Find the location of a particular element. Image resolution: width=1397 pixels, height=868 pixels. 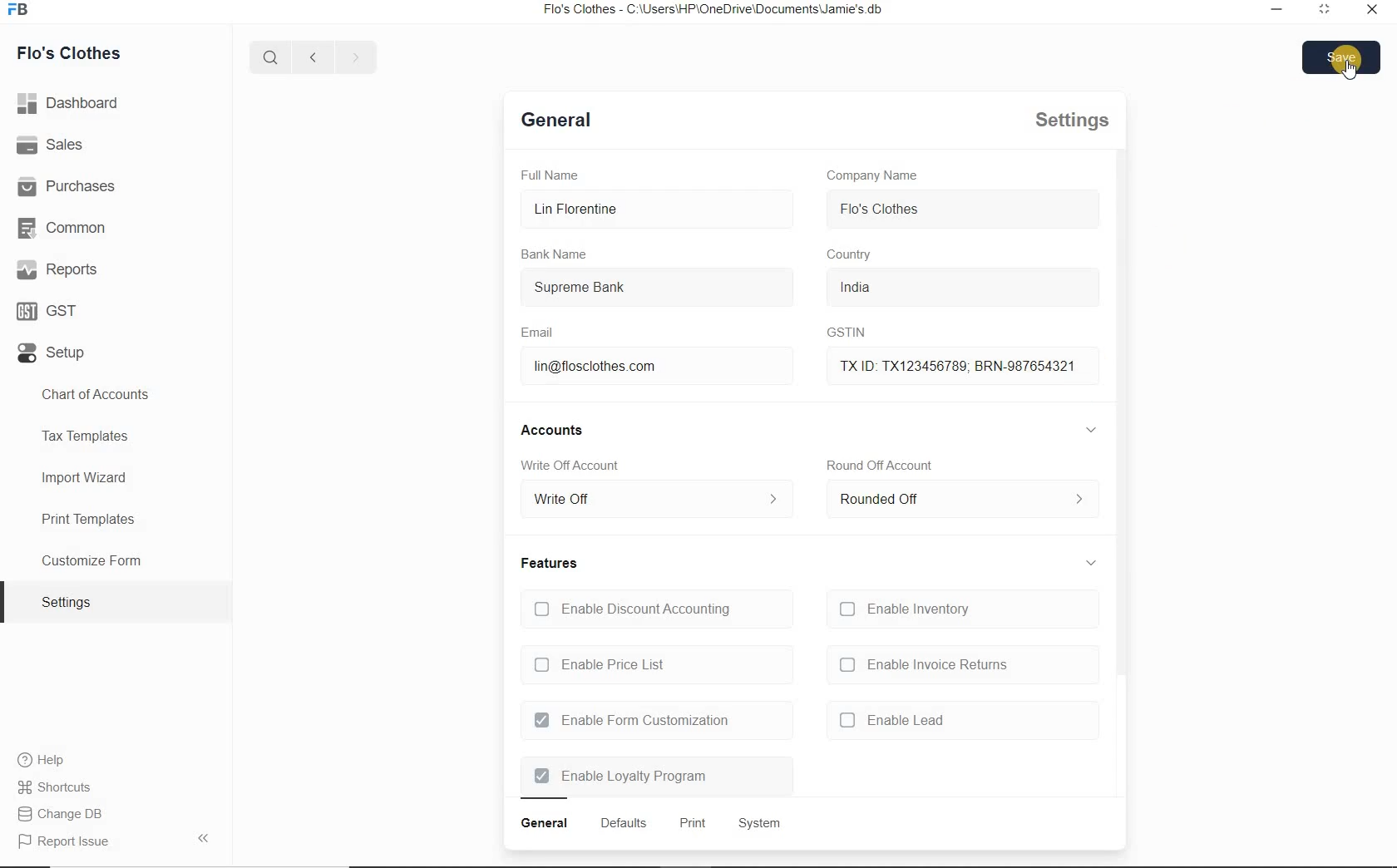

GST is located at coordinates (50, 311).